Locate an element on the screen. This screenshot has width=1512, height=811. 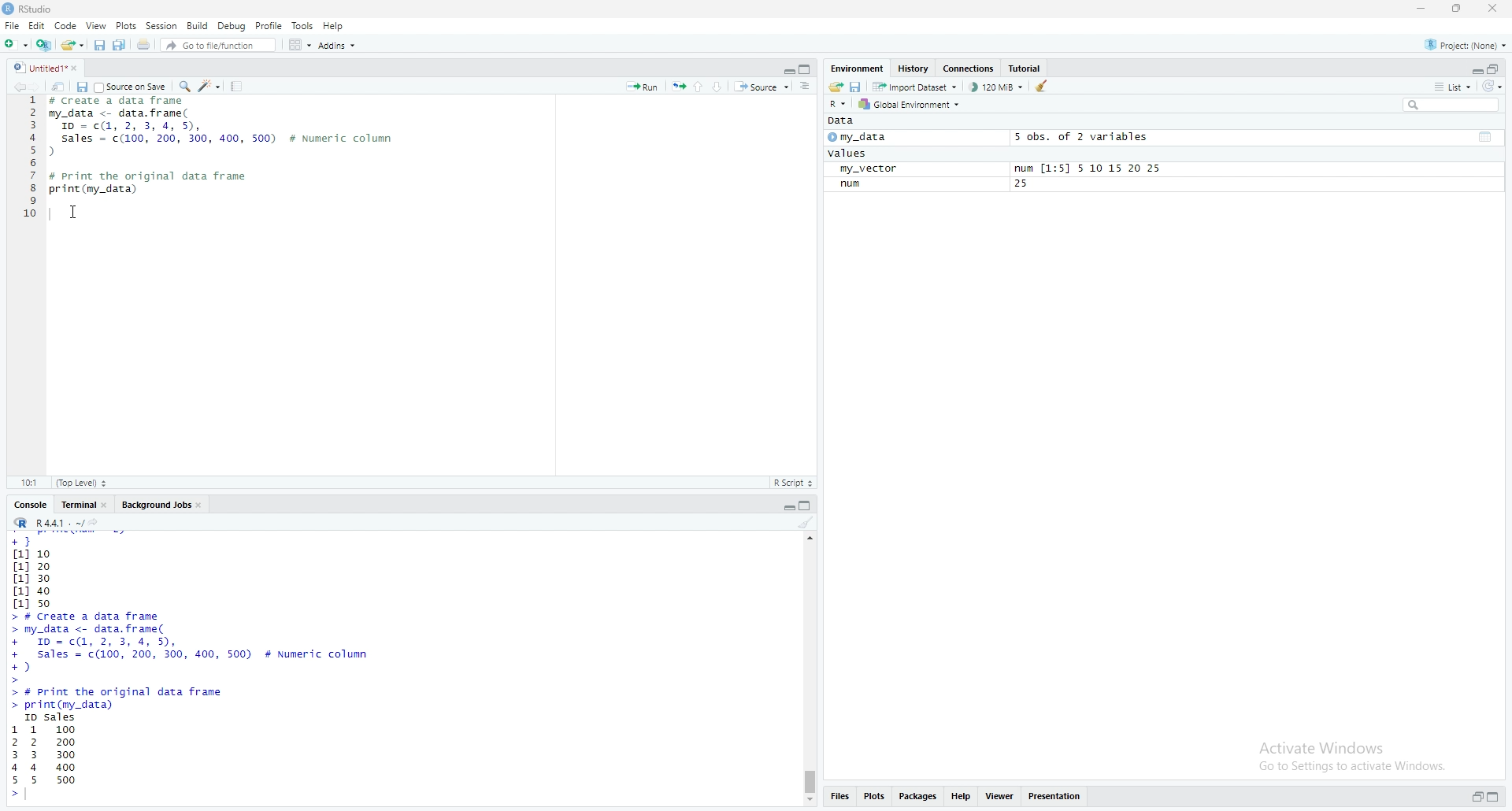
presentation is located at coordinates (1058, 799).